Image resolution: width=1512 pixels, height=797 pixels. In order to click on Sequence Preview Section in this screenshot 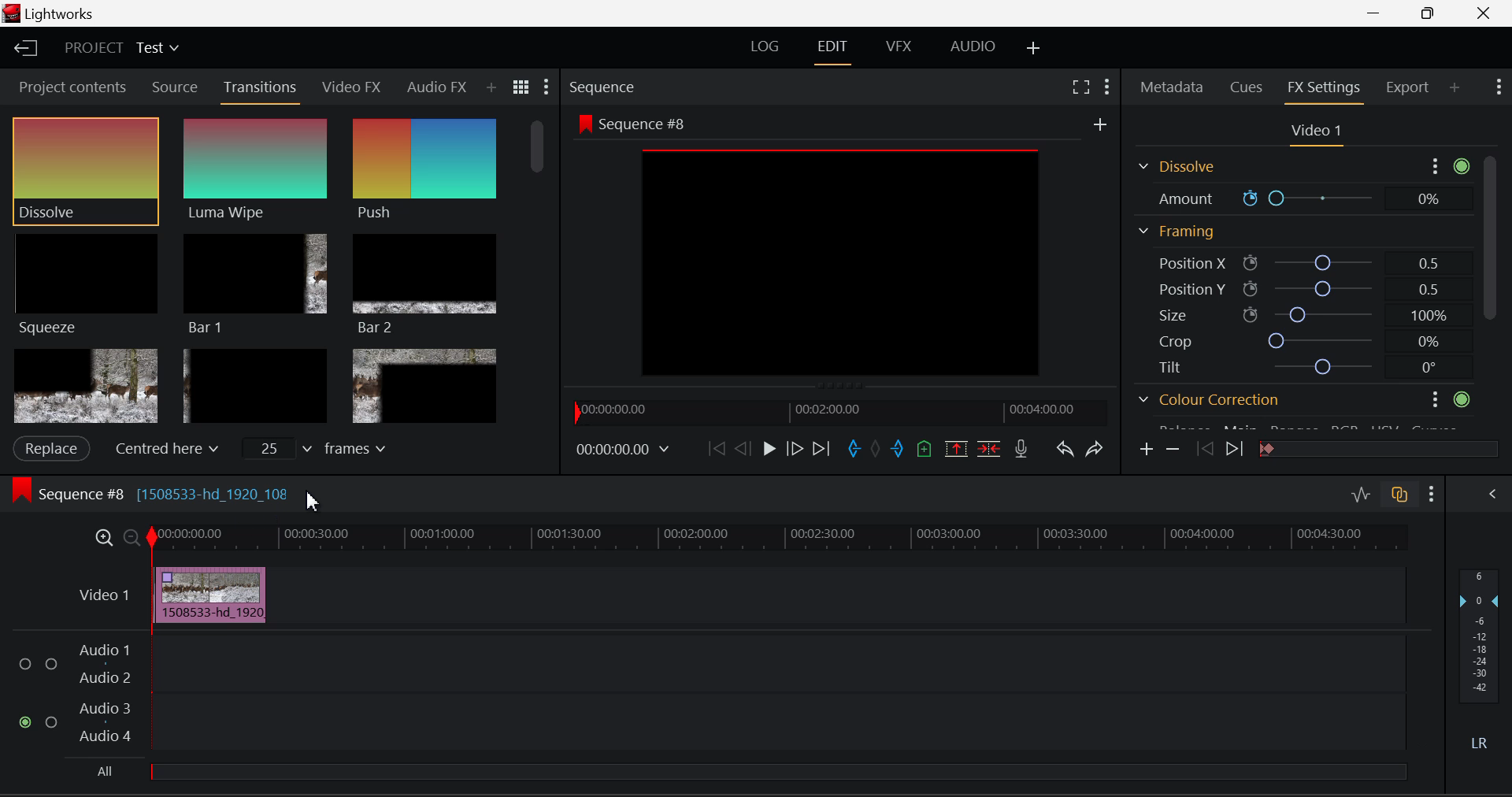, I will do `click(606, 88)`.